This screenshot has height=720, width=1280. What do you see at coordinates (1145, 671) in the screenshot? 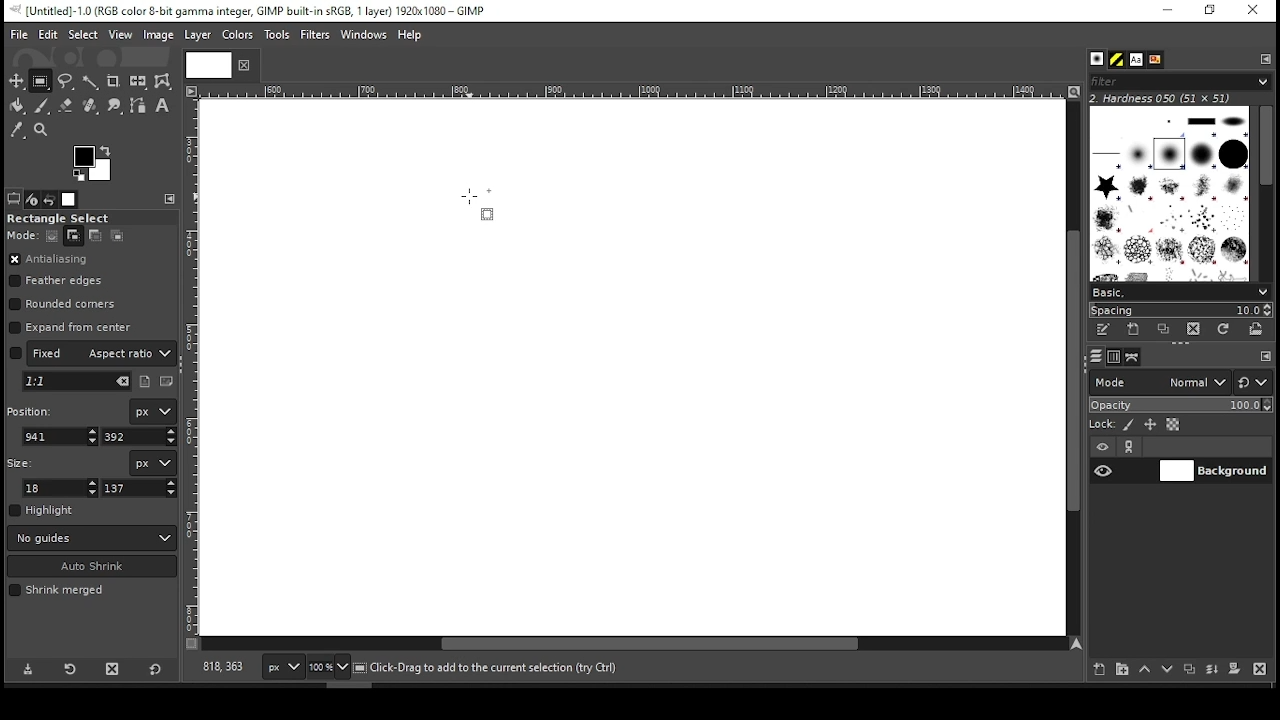
I see `move layer one step up` at bounding box center [1145, 671].